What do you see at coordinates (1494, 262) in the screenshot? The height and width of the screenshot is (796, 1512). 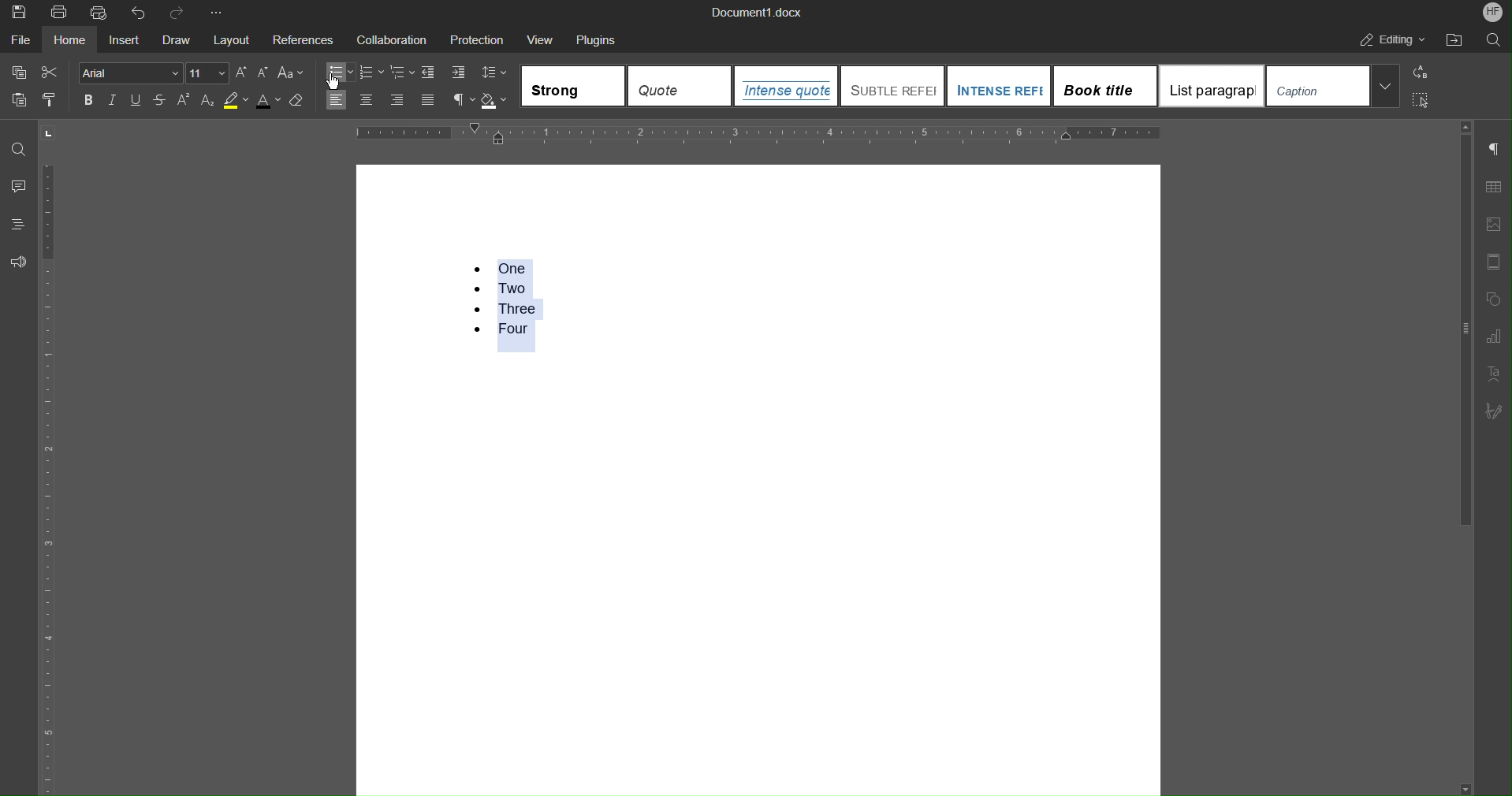 I see `Header/Footer` at bounding box center [1494, 262].